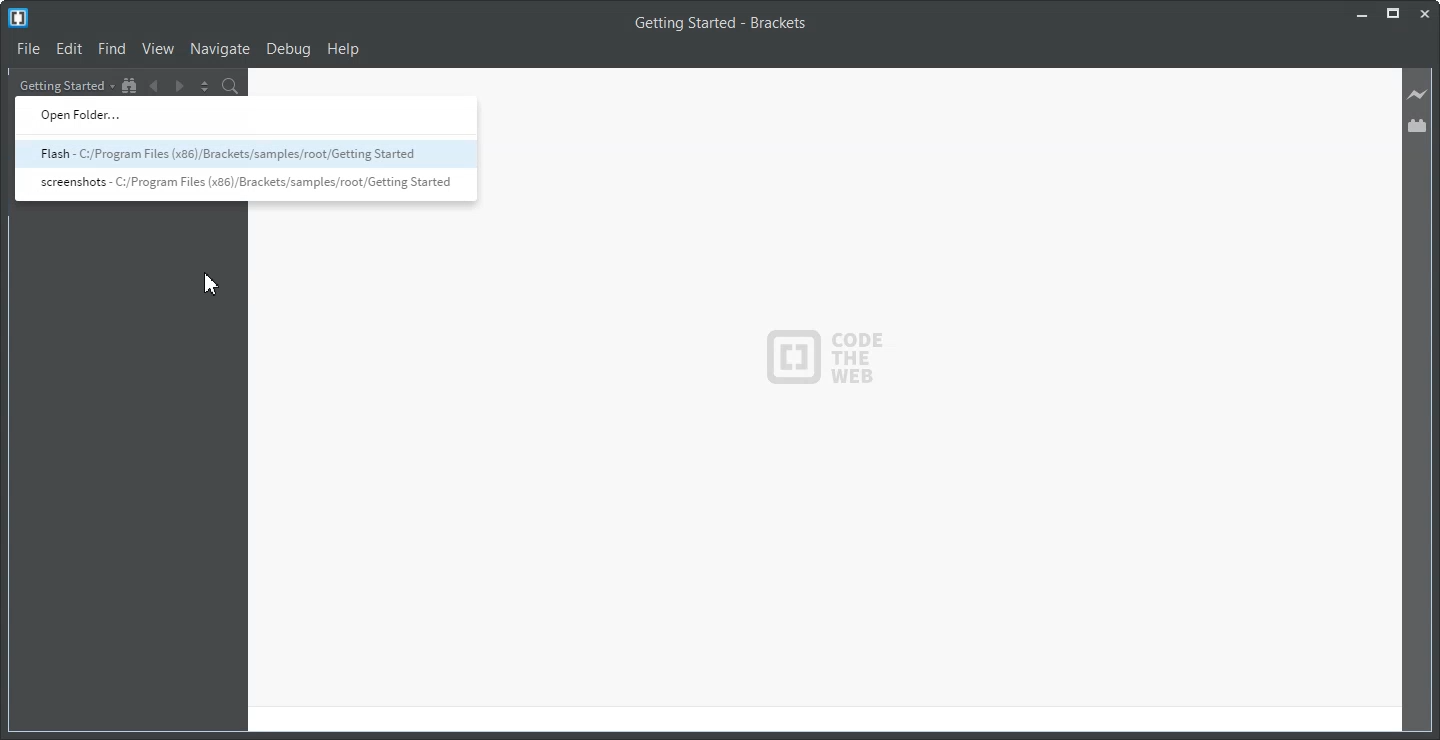 This screenshot has height=740, width=1440. What do you see at coordinates (1426, 13) in the screenshot?
I see `Close` at bounding box center [1426, 13].